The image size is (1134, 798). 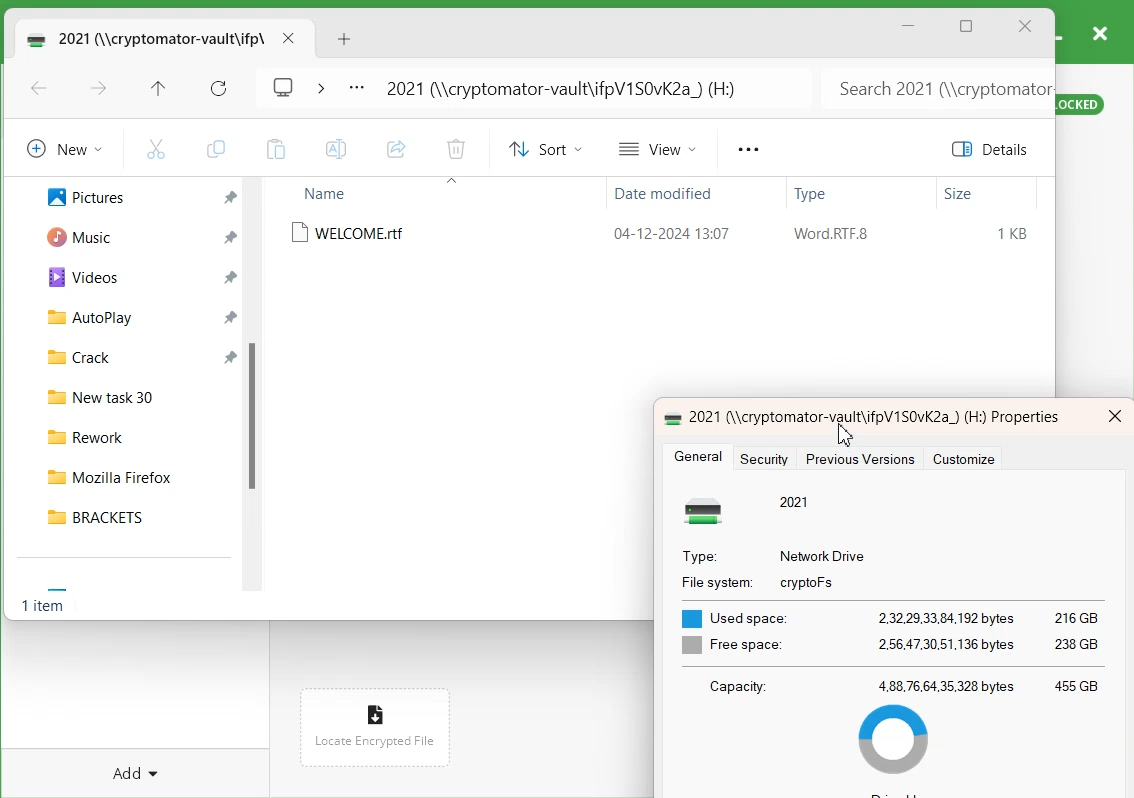 What do you see at coordinates (795, 501) in the screenshot?
I see `2021` at bounding box center [795, 501].